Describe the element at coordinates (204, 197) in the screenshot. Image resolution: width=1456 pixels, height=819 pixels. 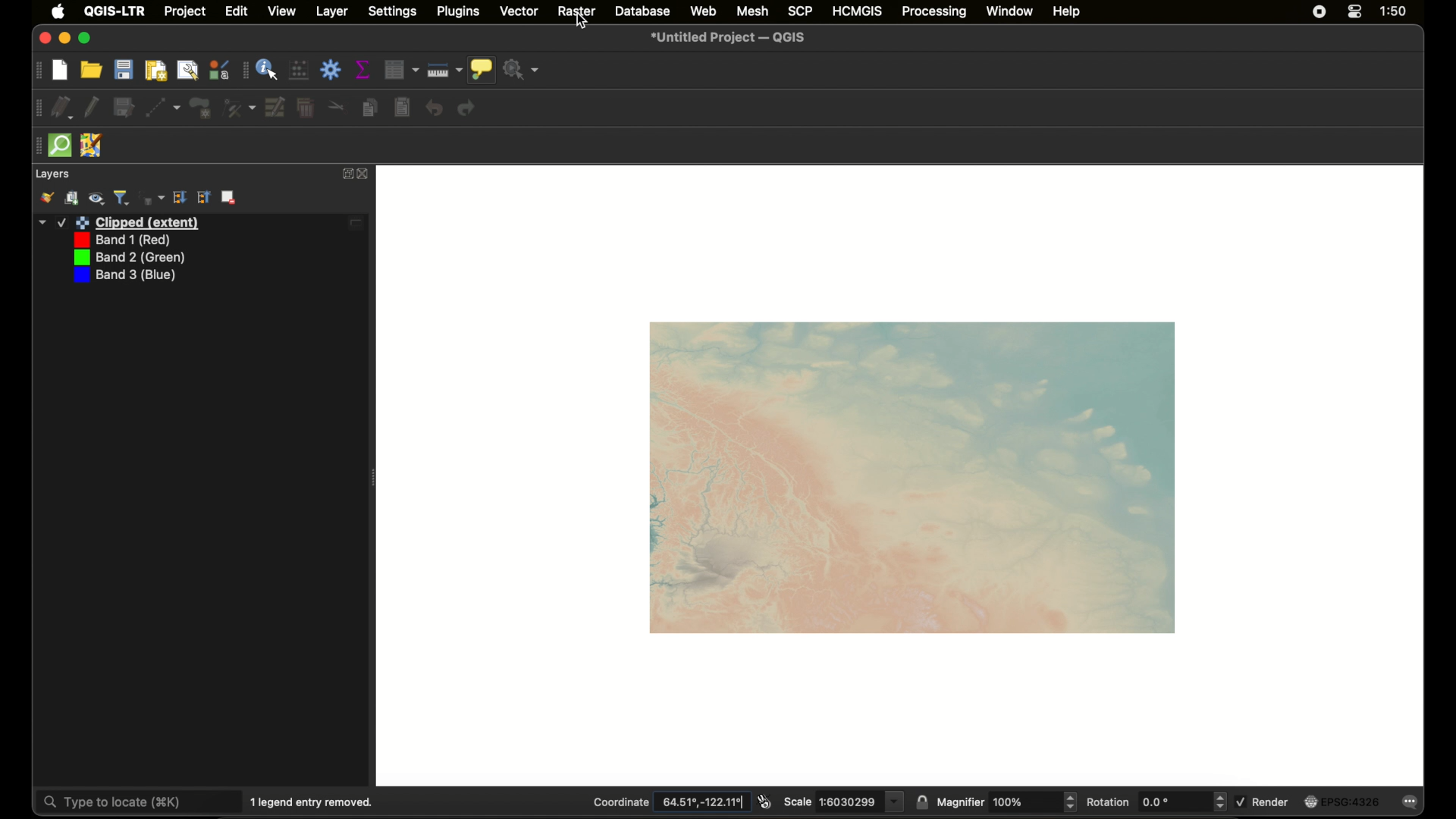
I see `expand all` at that location.